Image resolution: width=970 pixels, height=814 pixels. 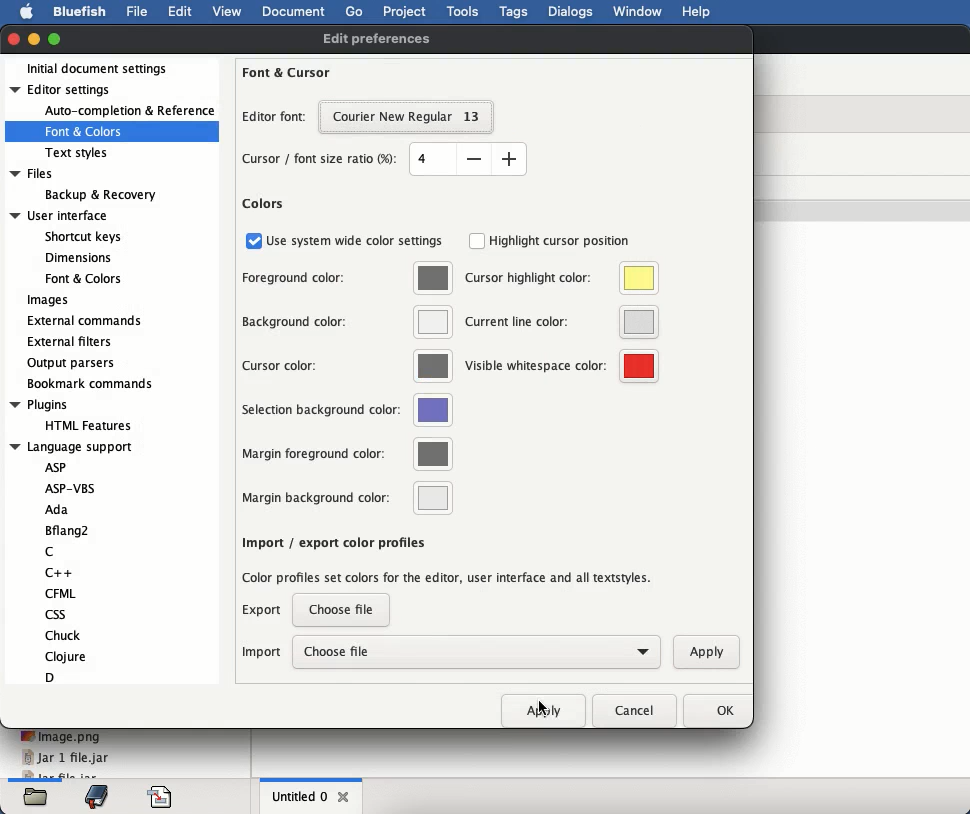 What do you see at coordinates (299, 795) in the screenshot?
I see `untitled` at bounding box center [299, 795].